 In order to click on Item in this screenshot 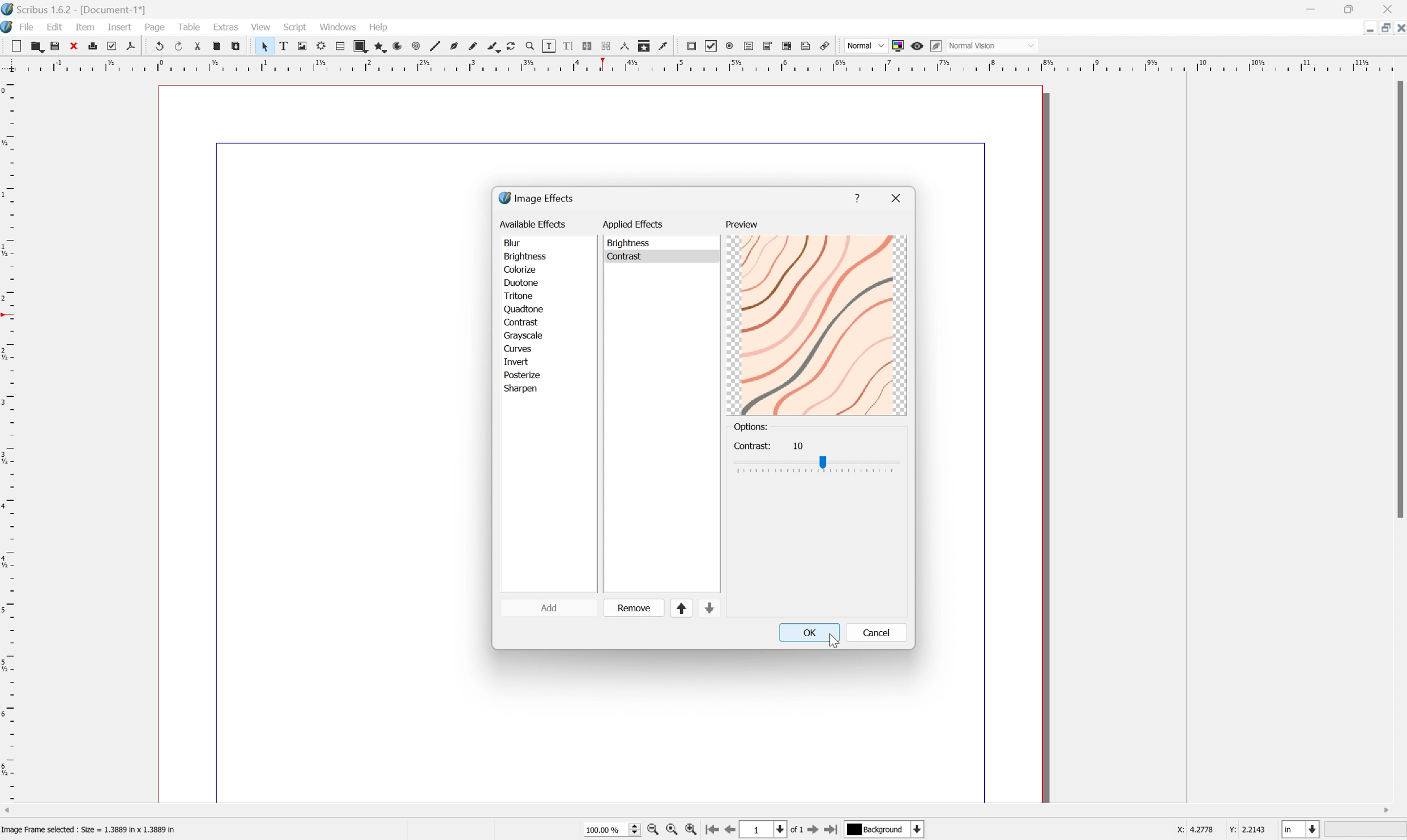, I will do `click(85, 26)`.